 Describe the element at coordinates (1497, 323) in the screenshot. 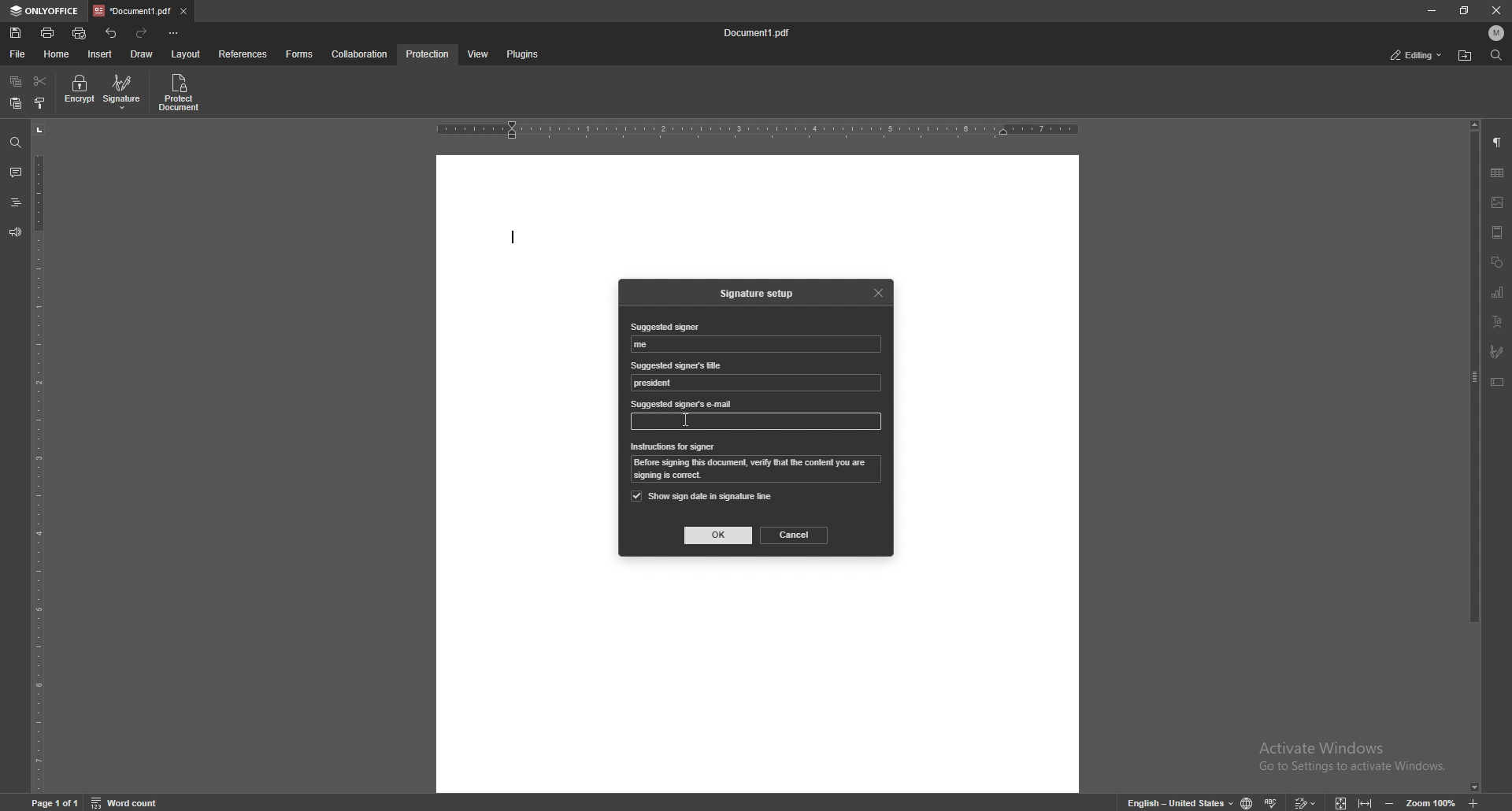

I see `text art` at that location.